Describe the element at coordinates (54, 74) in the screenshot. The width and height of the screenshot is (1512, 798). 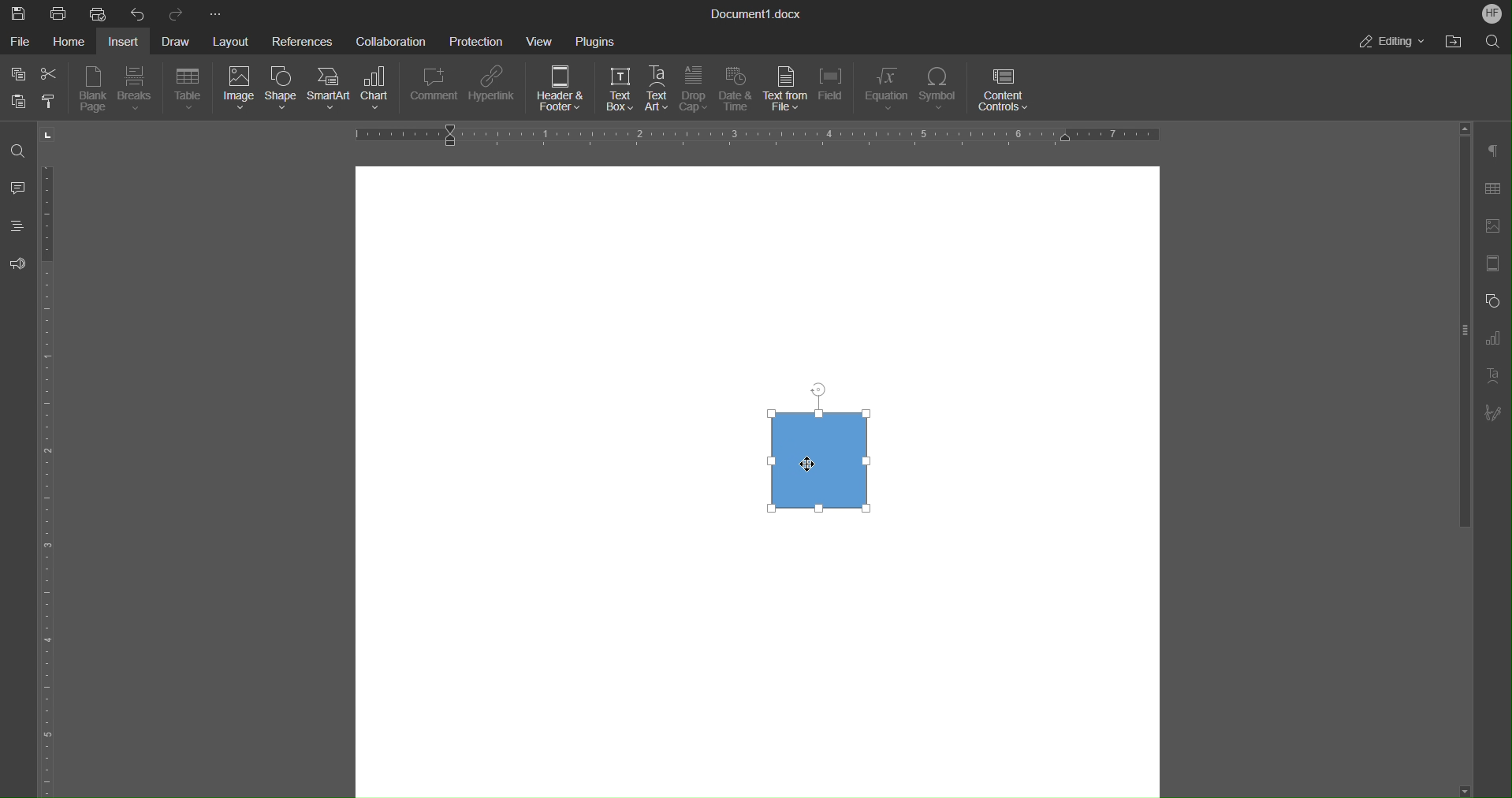
I see `Cut` at that location.